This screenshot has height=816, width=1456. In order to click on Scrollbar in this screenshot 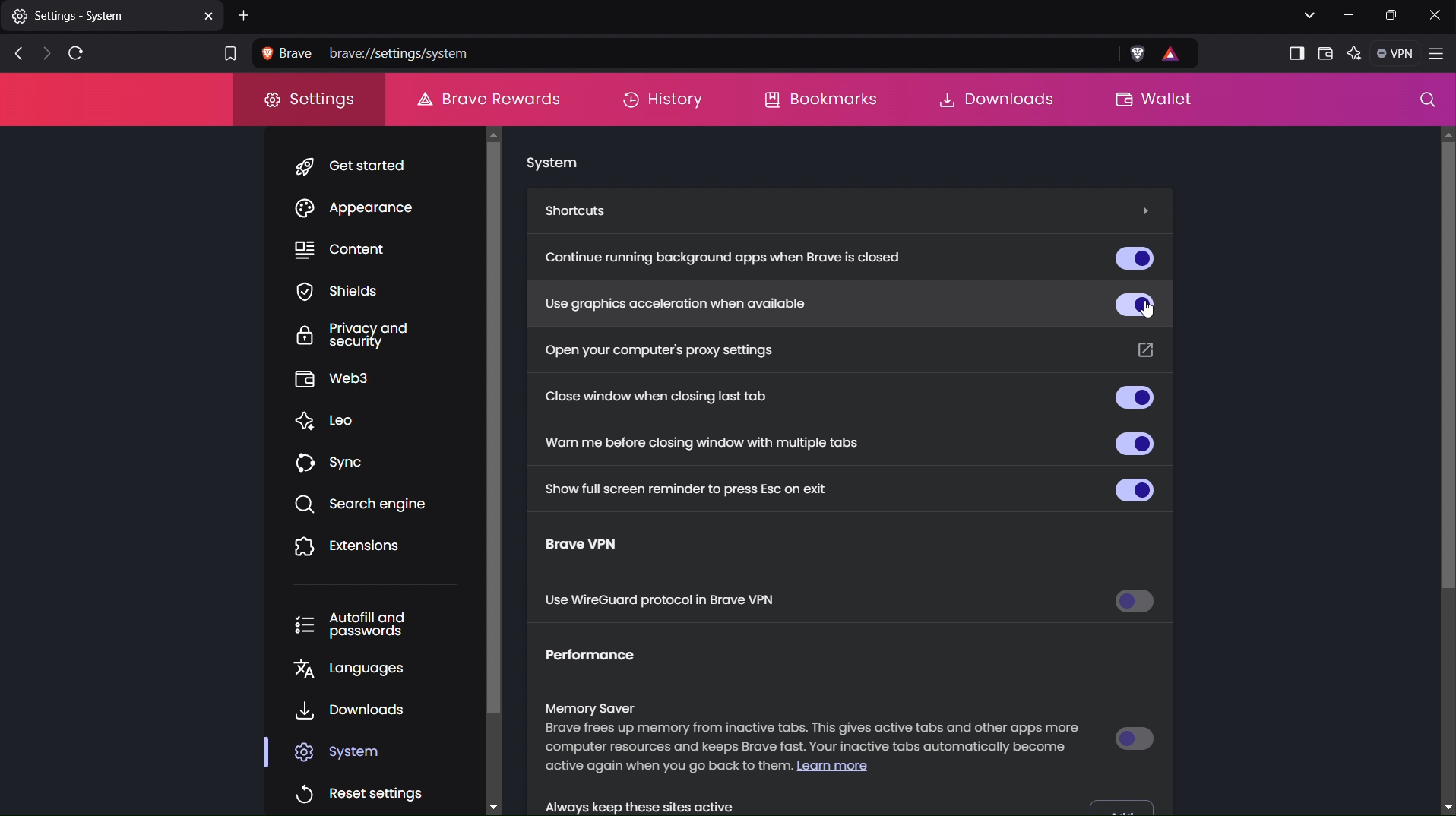, I will do `click(504, 467)`.